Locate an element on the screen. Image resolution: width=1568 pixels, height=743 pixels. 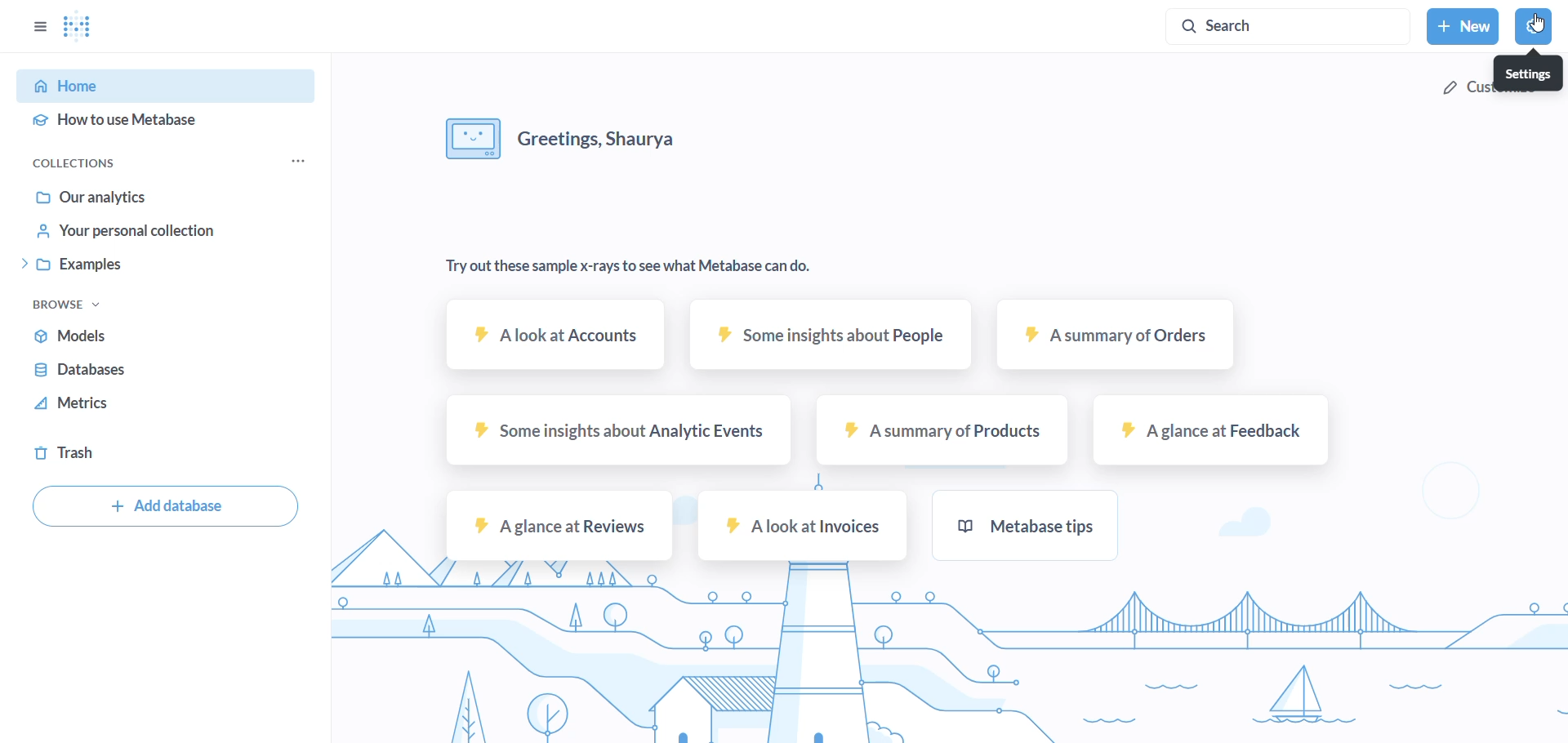
A look at Invoices sample is located at coordinates (802, 527).